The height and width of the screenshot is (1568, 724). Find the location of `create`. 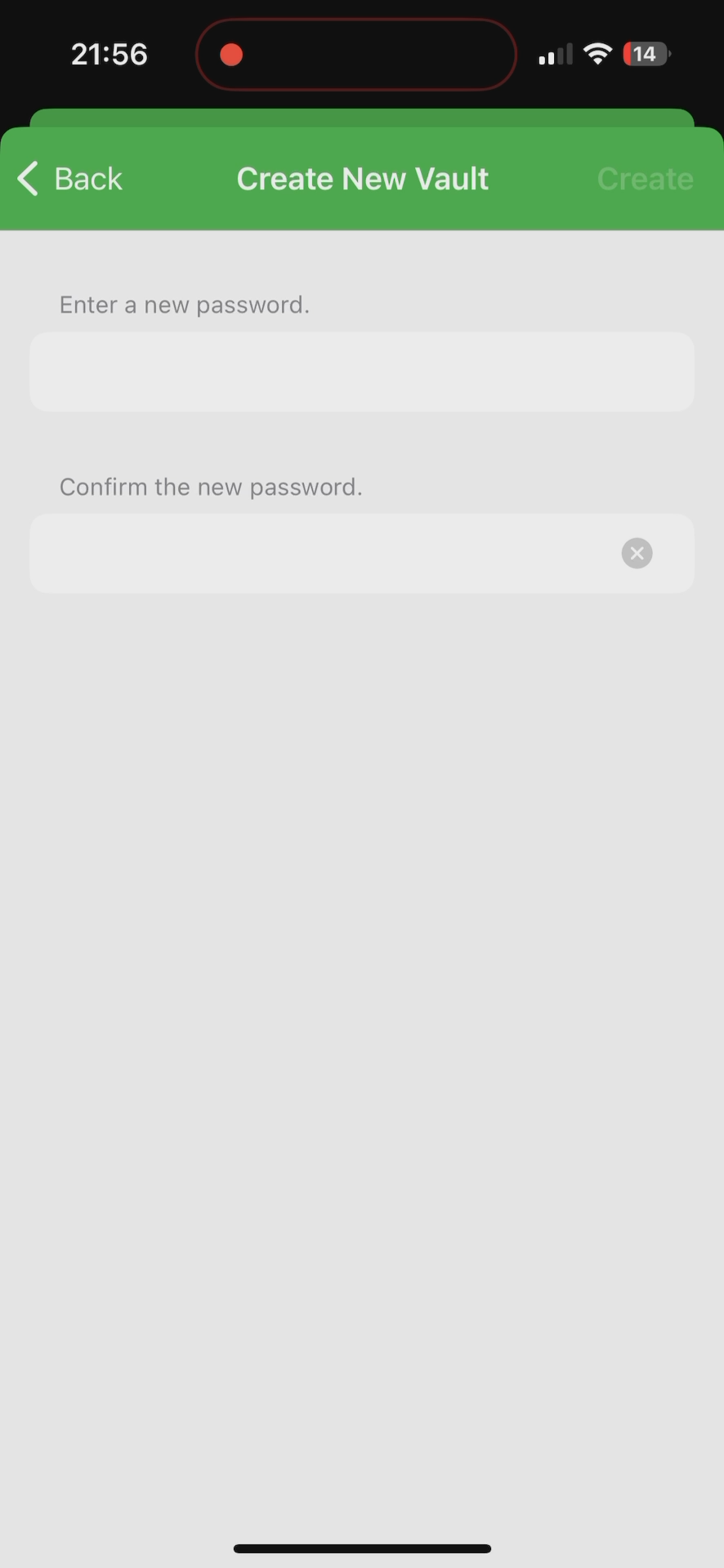

create is located at coordinates (646, 168).